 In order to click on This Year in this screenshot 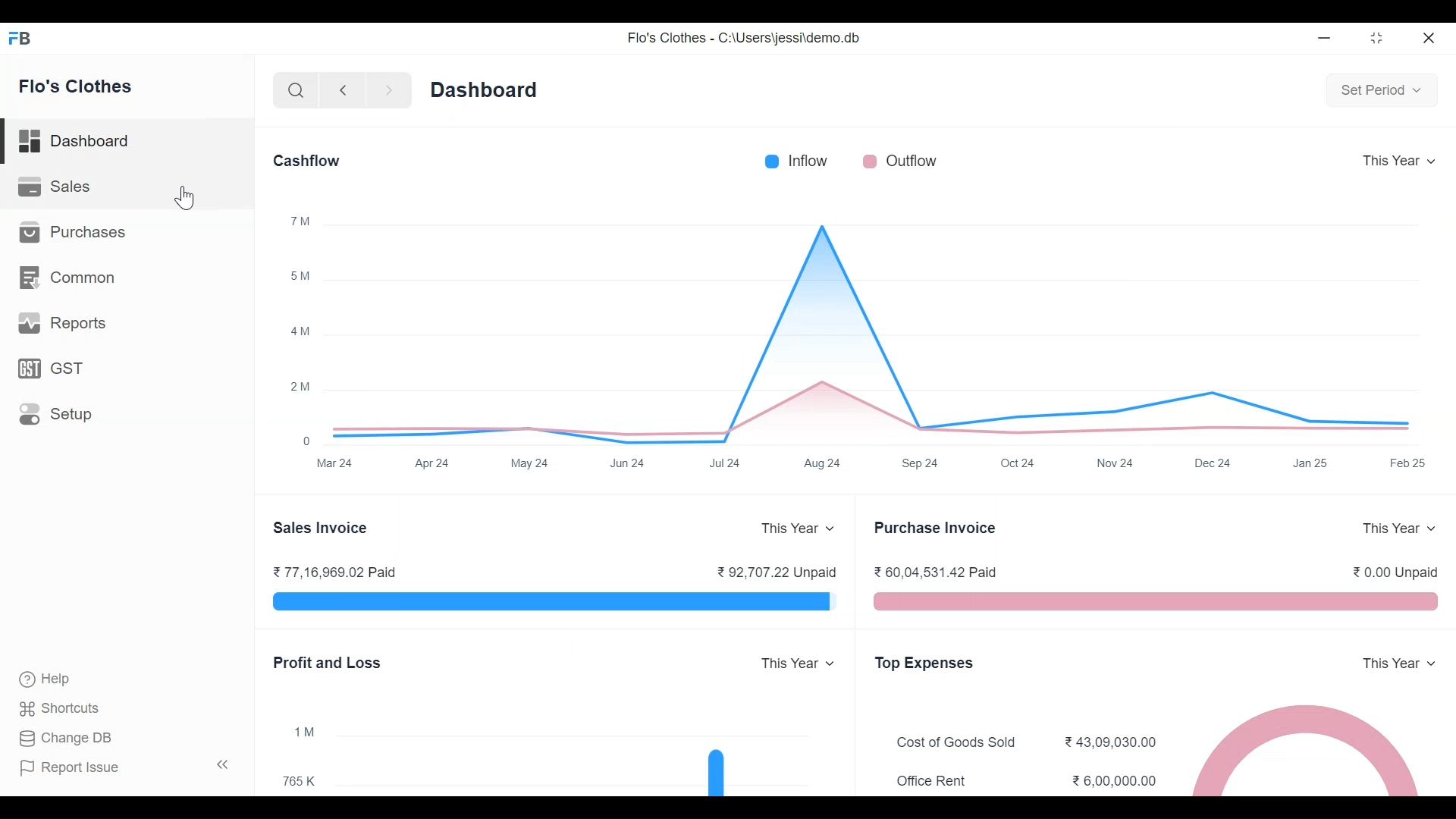, I will do `click(1391, 162)`.